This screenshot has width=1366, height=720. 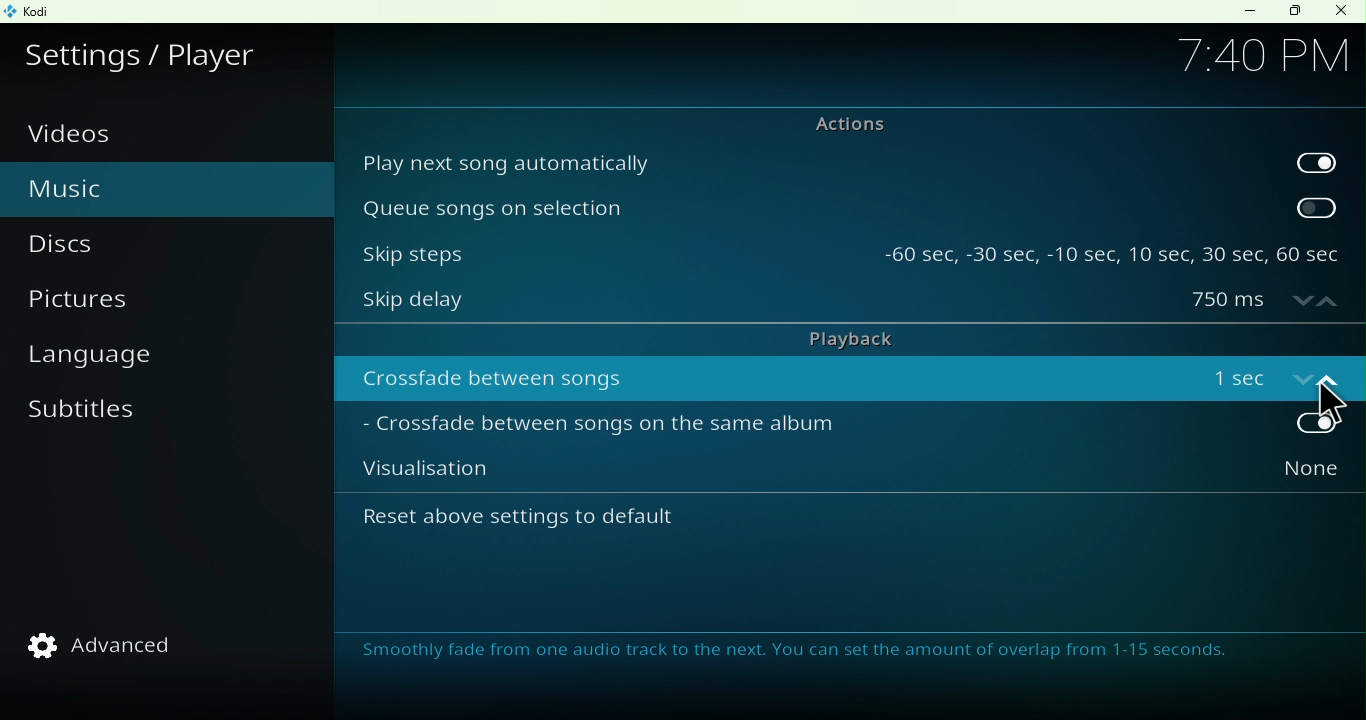 What do you see at coordinates (606, 248) in the screenshot?
I see `Skip steps` at bounding box center [606, 248].